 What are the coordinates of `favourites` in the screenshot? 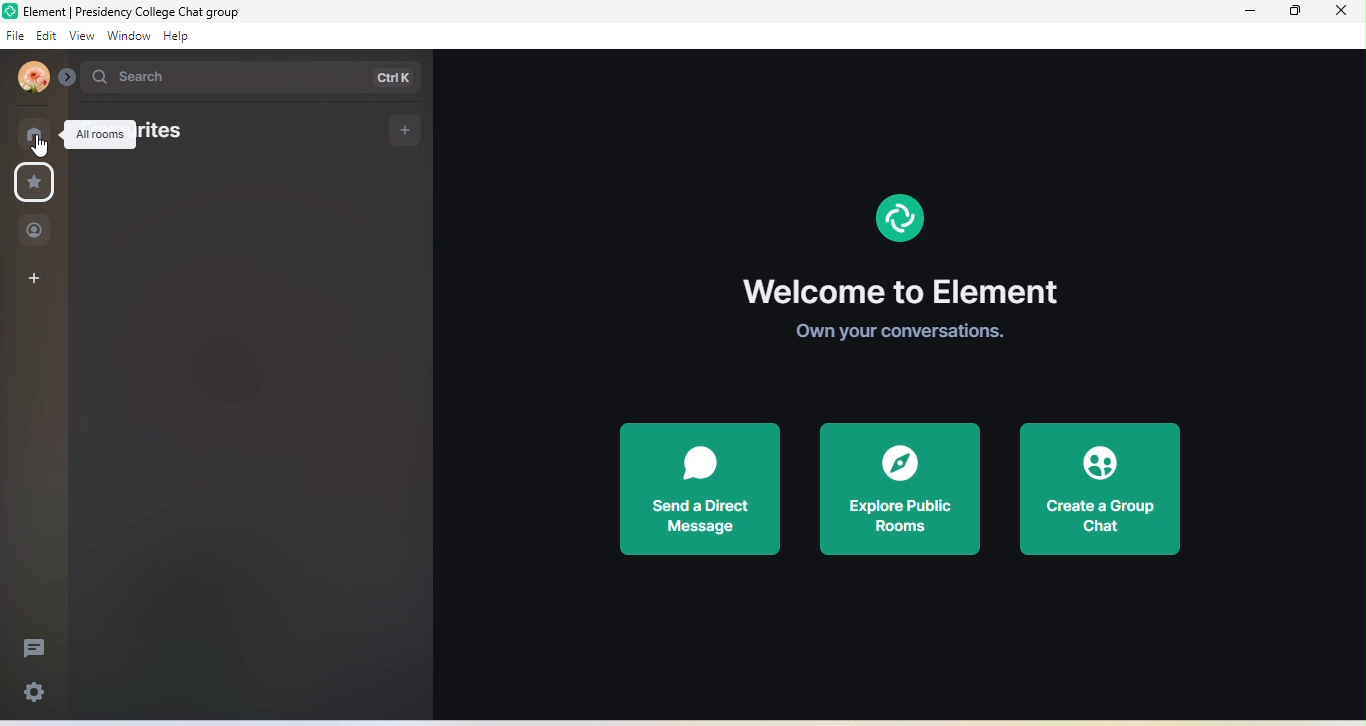 It's located at (33, 184).